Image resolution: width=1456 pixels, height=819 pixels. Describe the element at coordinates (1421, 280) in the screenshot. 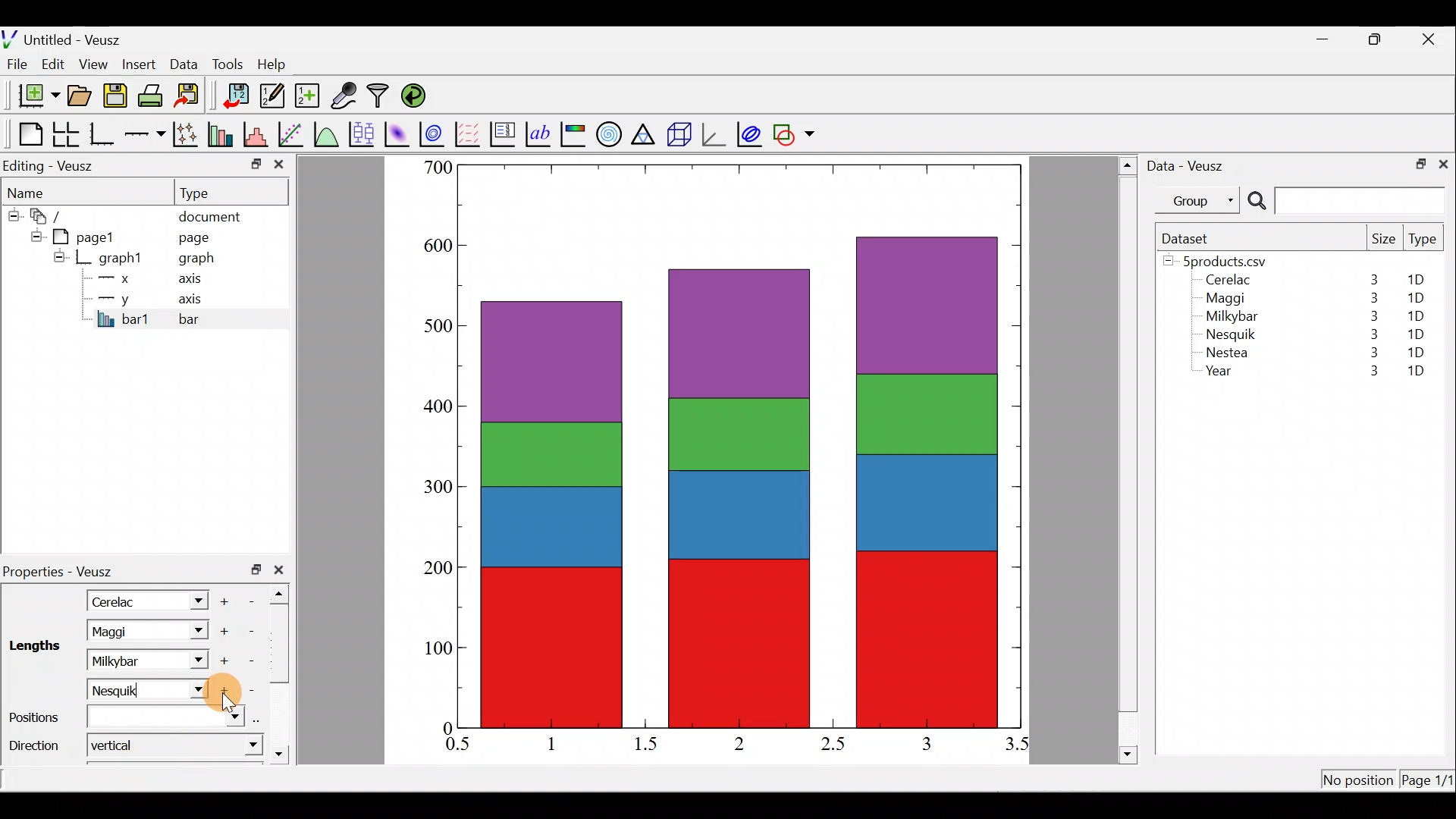

I see `1D` at that location.